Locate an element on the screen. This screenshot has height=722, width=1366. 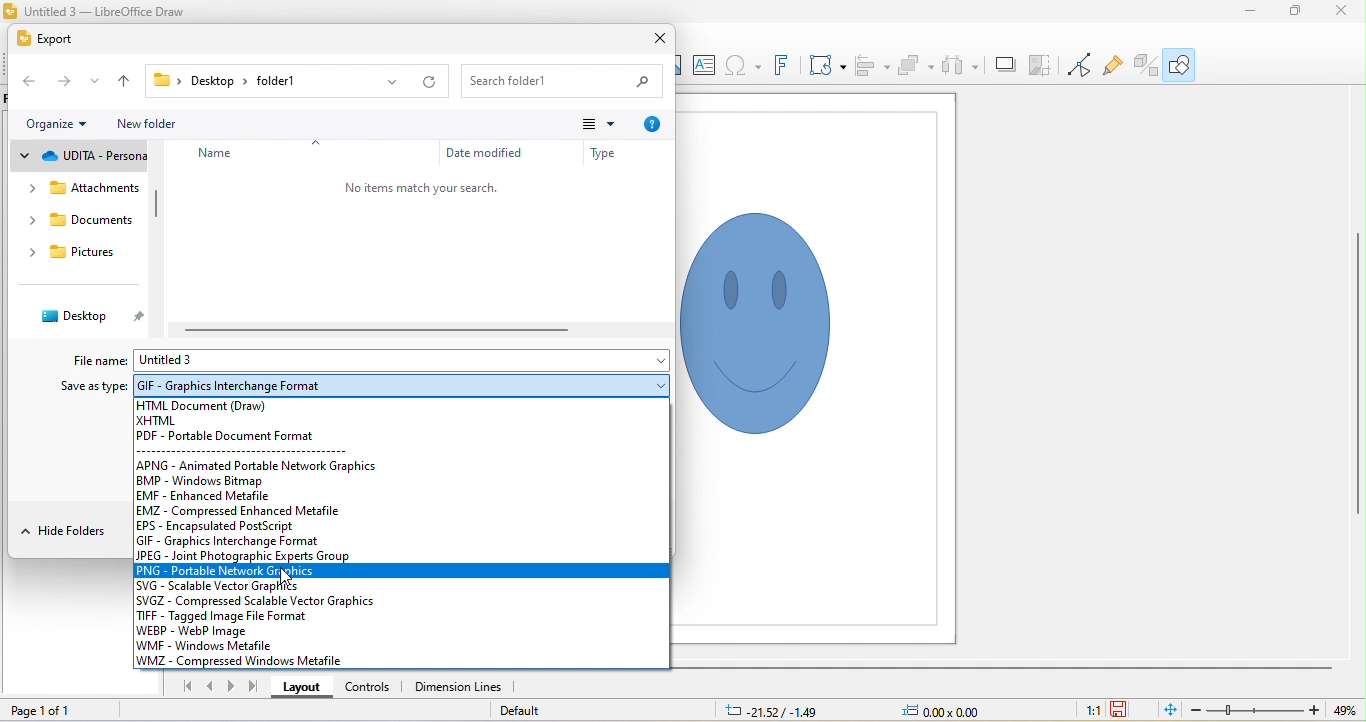
title is located at coordinates (96, 11).